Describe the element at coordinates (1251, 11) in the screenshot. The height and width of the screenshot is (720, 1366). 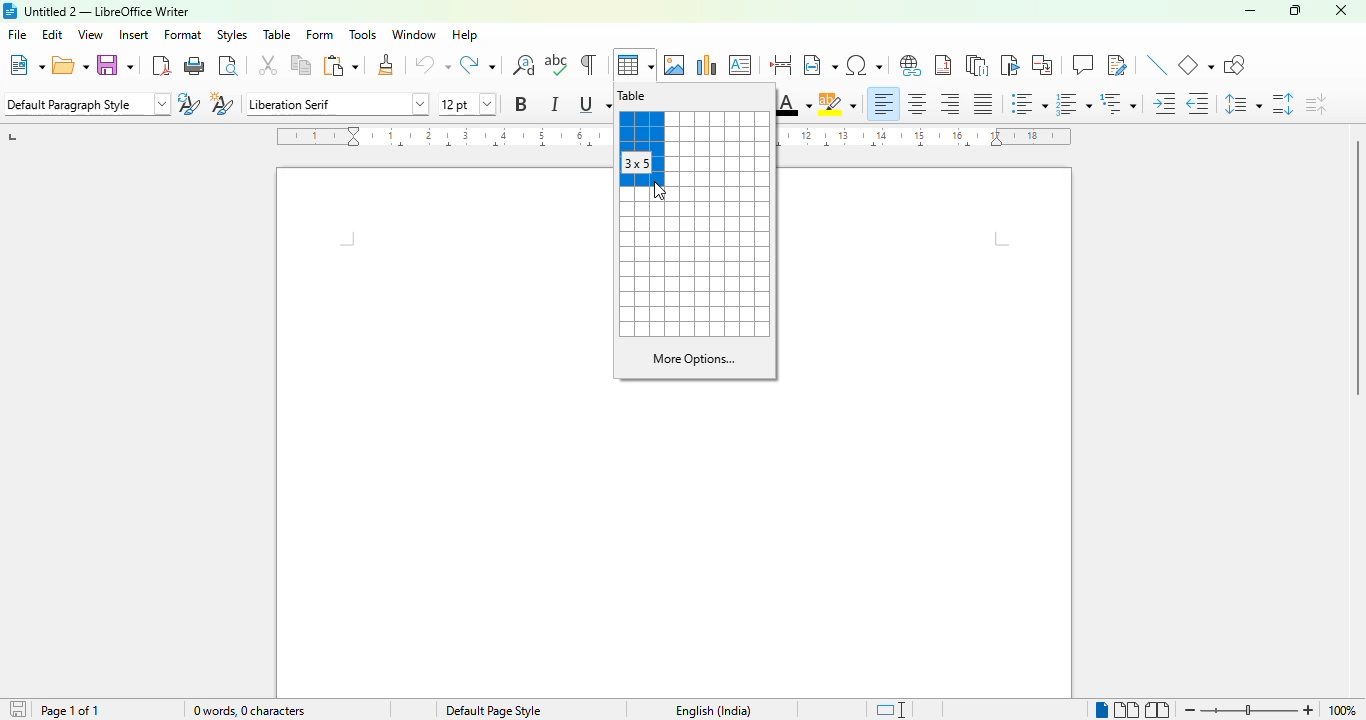
I see `minimize` at that location.